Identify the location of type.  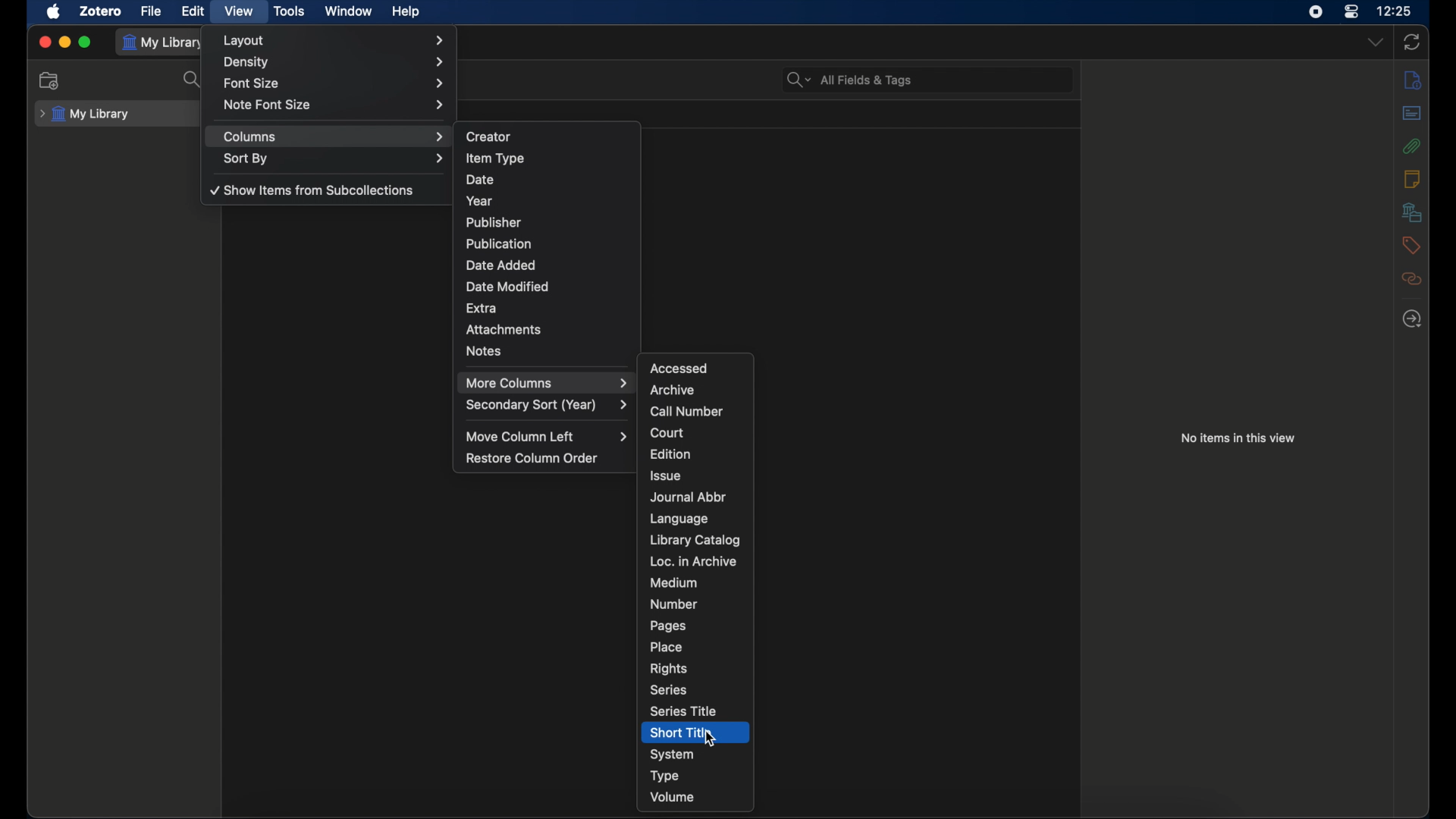
(665, 777).